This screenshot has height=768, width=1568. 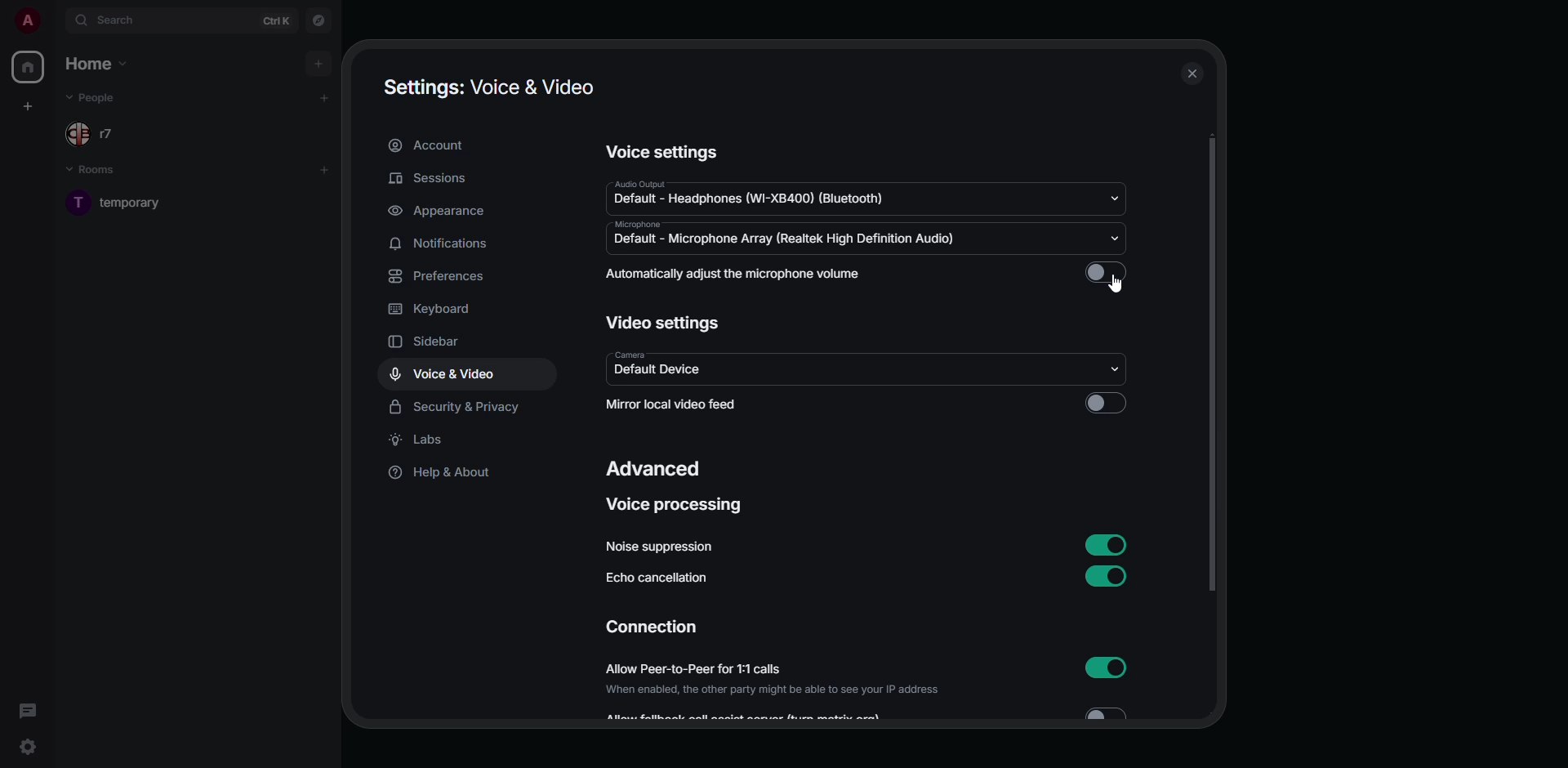 What do you see at coordinates (737, 275) in the screenshot?
I see `automatically adjust microphone volume` at bounding box center [737, 275].